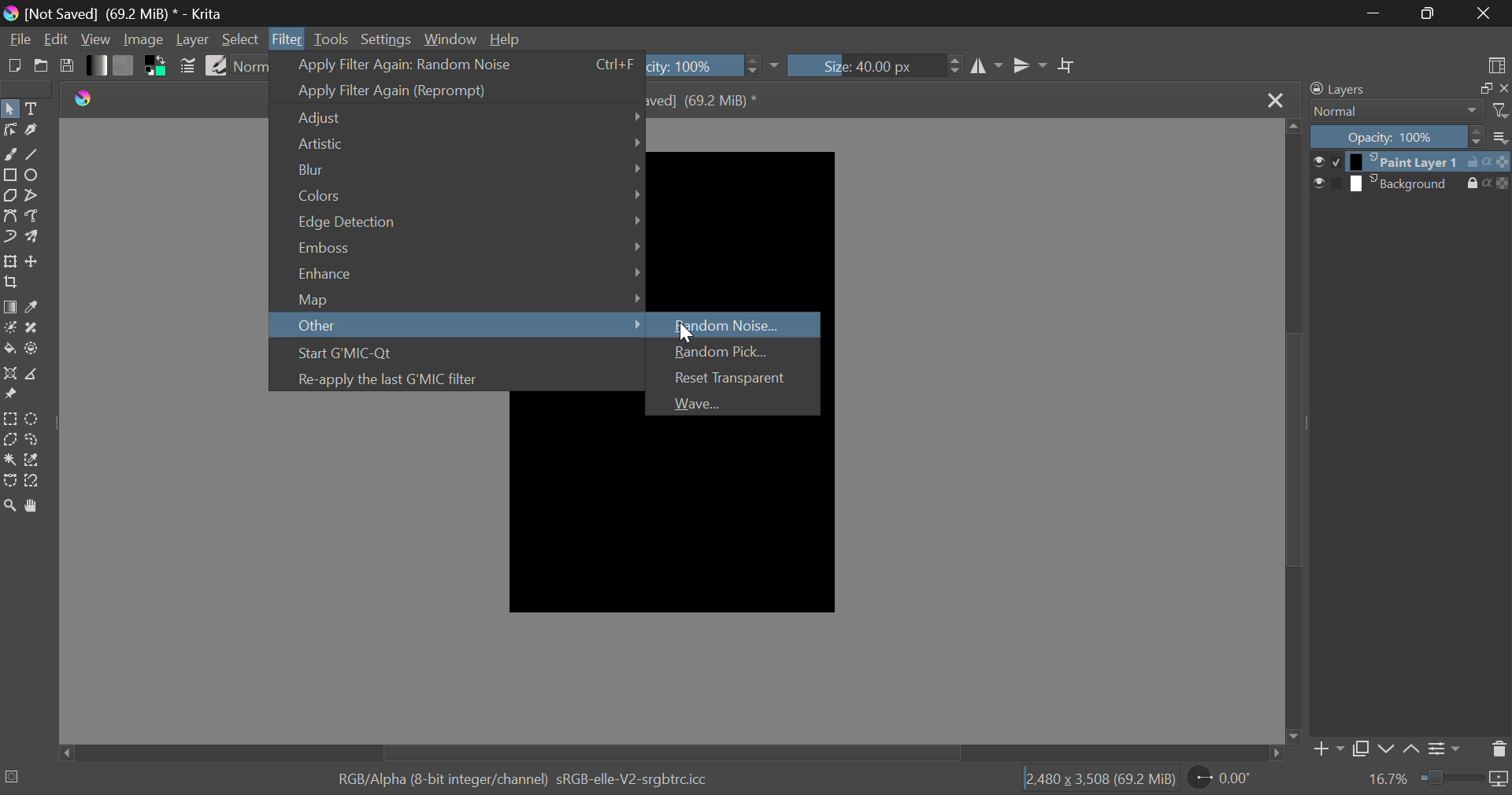 This screenshot has width=1512, height=795. Describe the element at coordinates (193, 40) in the screenshot. I see `Layer` at that location.